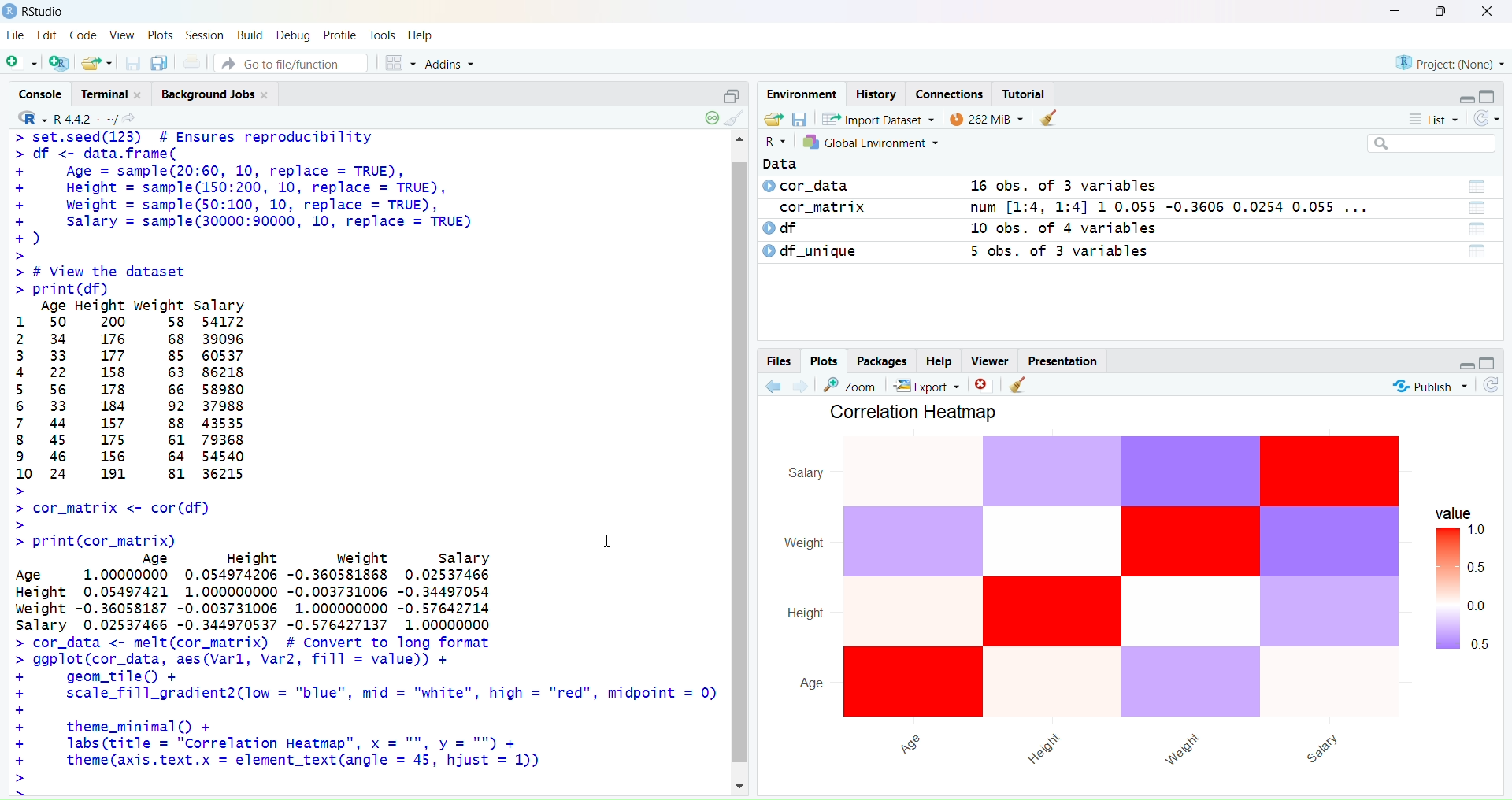  I want to click on Values bar, so click(1446, 590).